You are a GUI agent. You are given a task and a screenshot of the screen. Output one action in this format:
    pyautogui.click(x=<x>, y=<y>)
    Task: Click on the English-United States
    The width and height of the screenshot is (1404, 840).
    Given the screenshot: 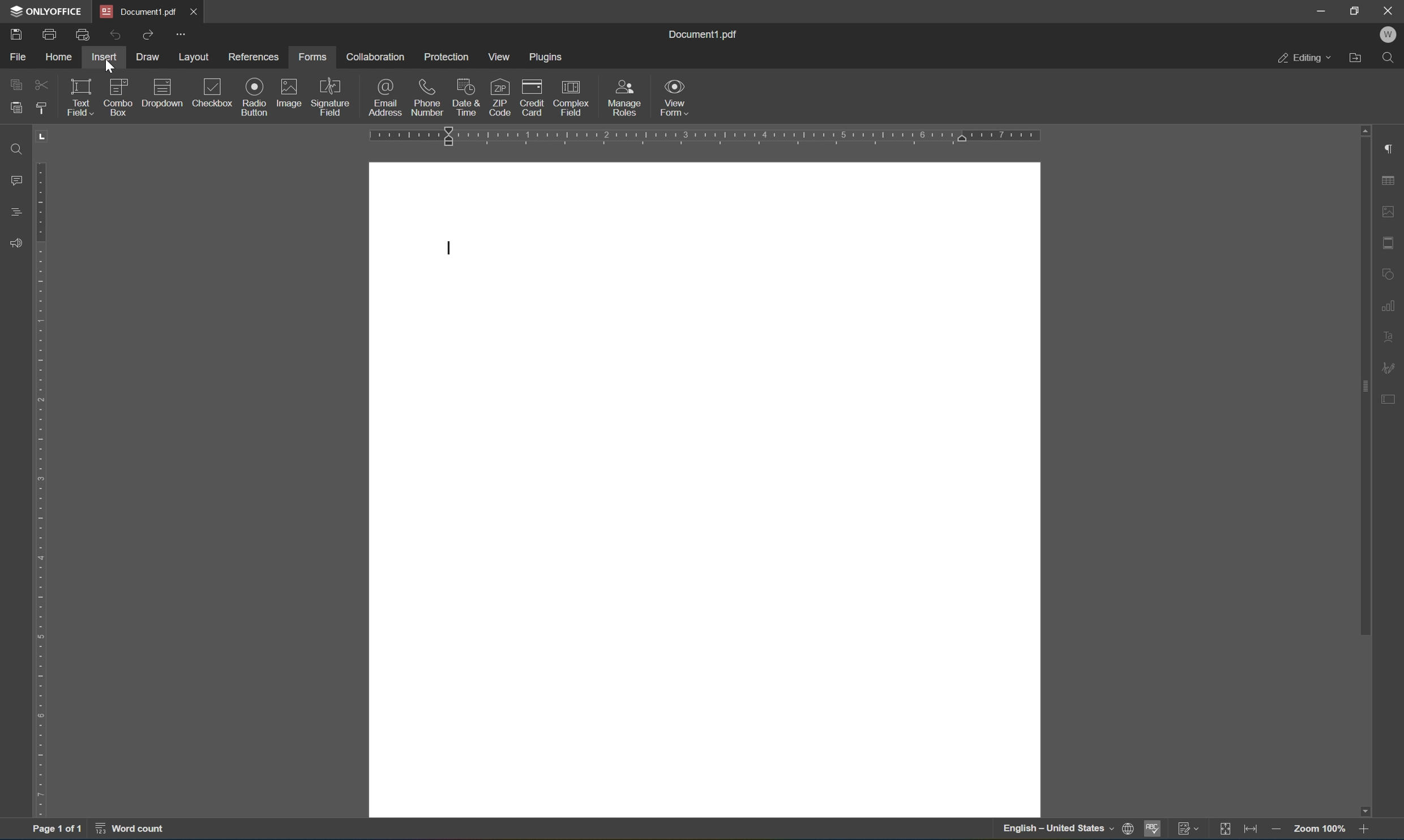 What is the action you would take?
    pyautogui.click(x=1066, y=830)
    